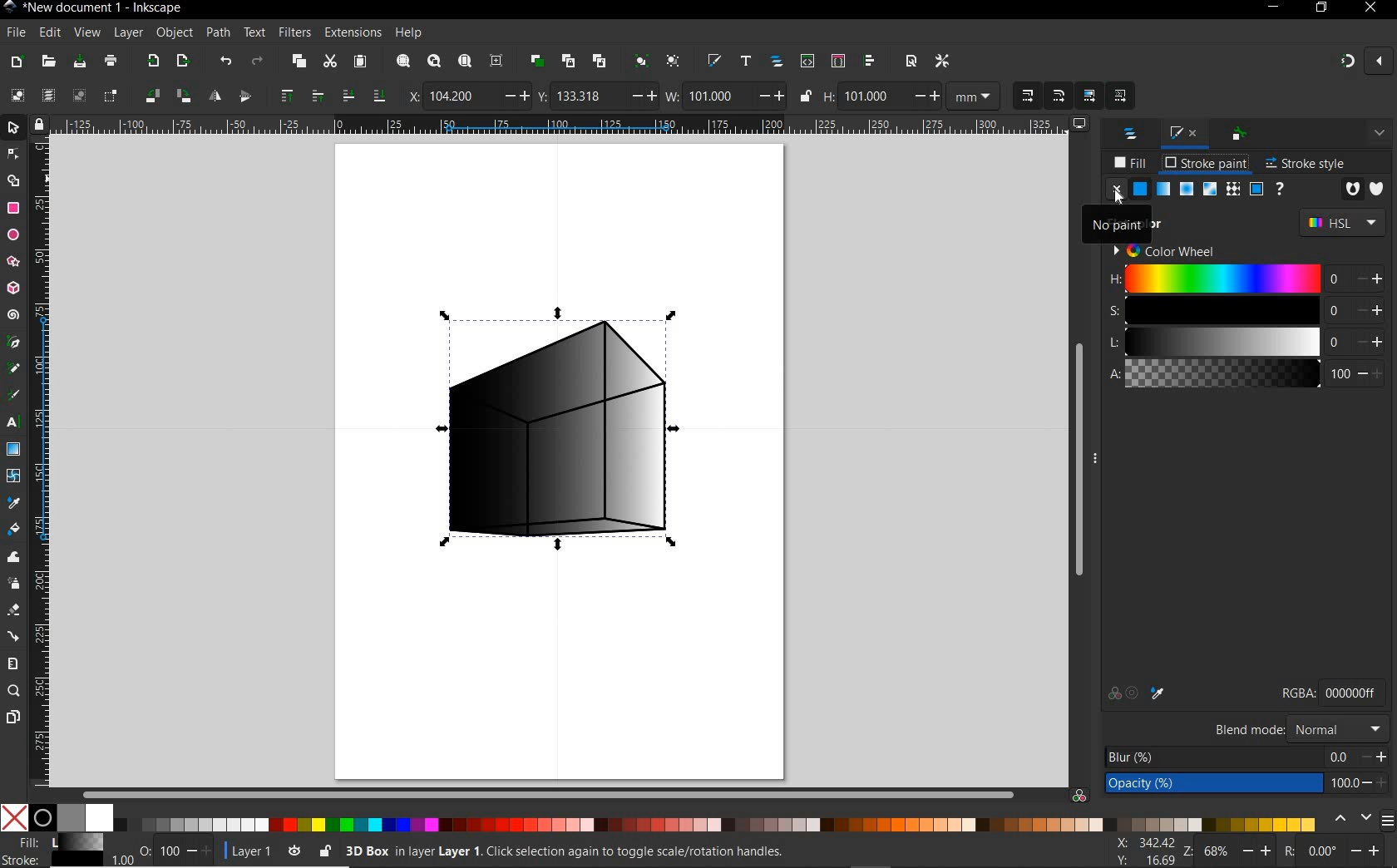  I want to click on CALLIGRAPHY TOOL, so click(13, 397).